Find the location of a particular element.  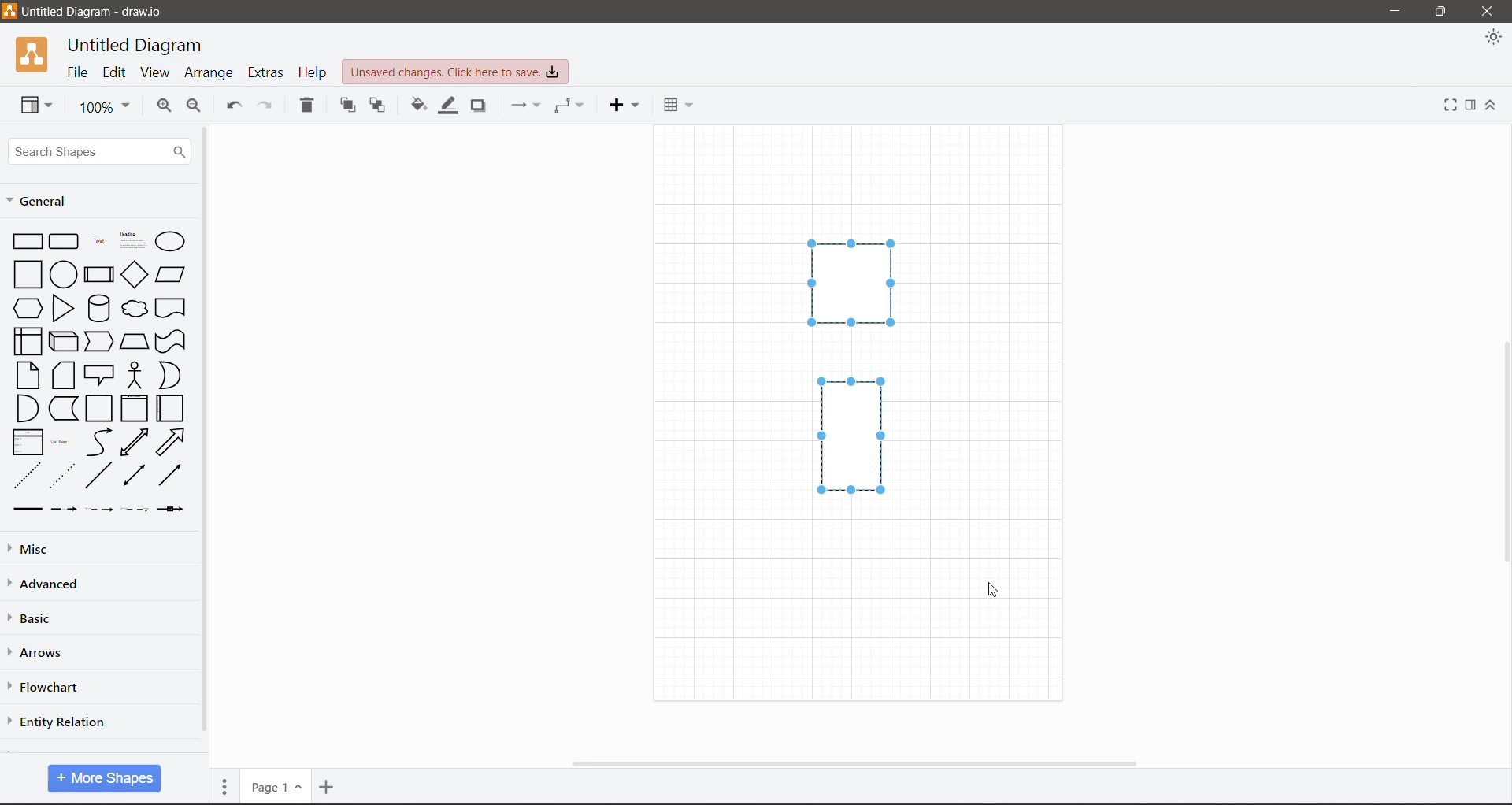

Redo is located at coordinates (269, 106).